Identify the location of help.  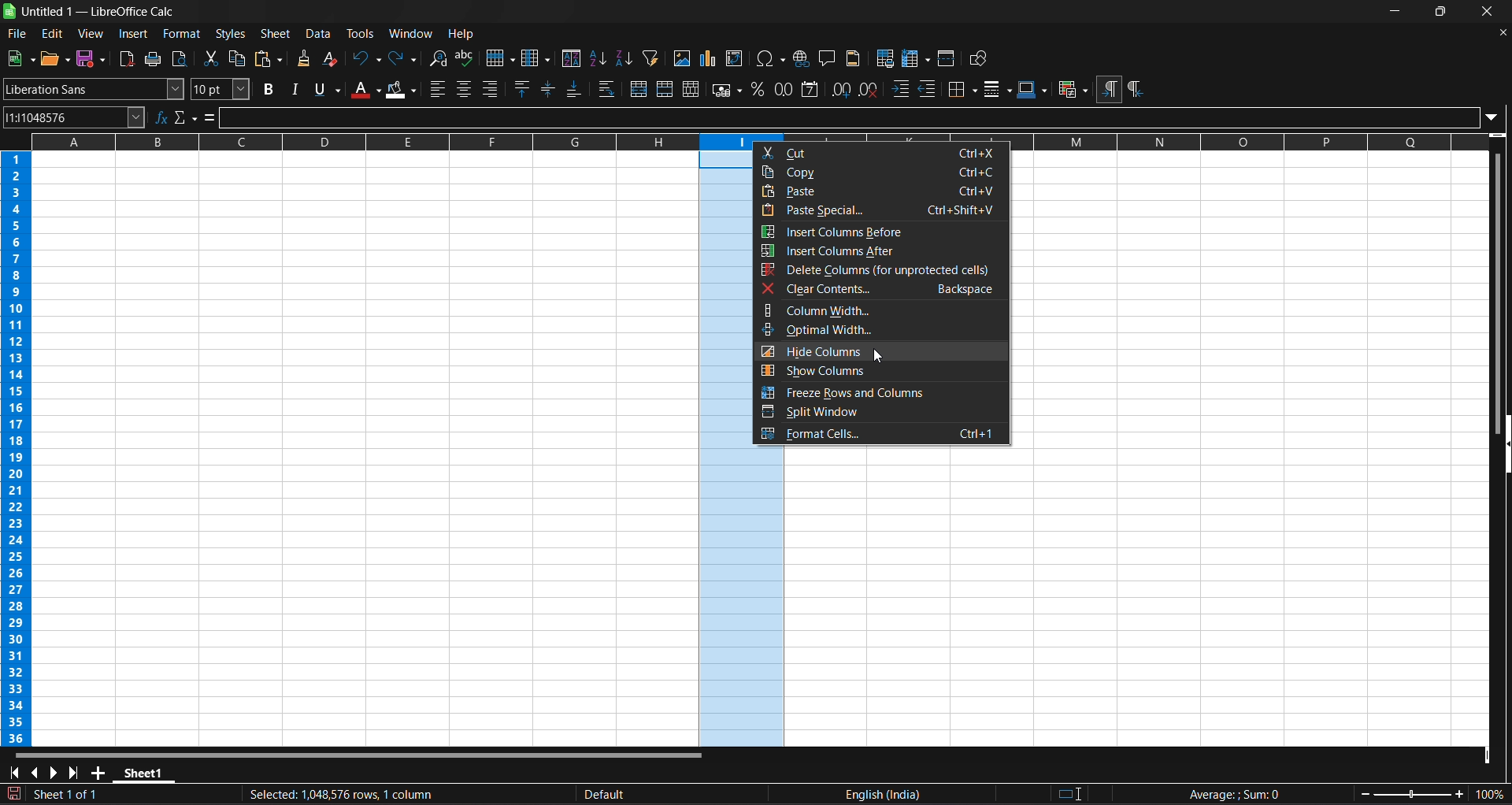
(463, 35).